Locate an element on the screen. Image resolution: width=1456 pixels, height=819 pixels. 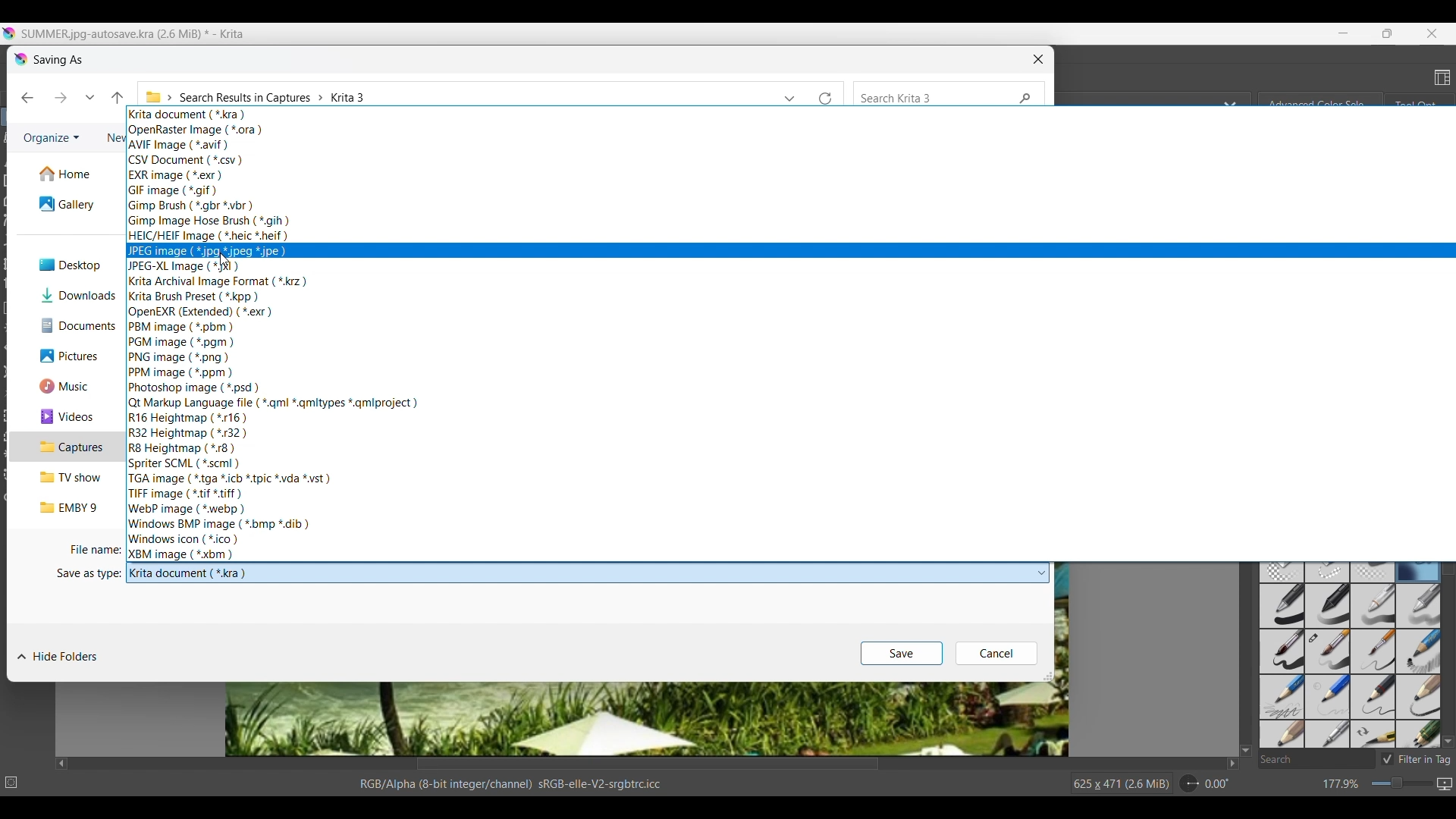
Current rotation of image is located at coordinates (1217, 784).